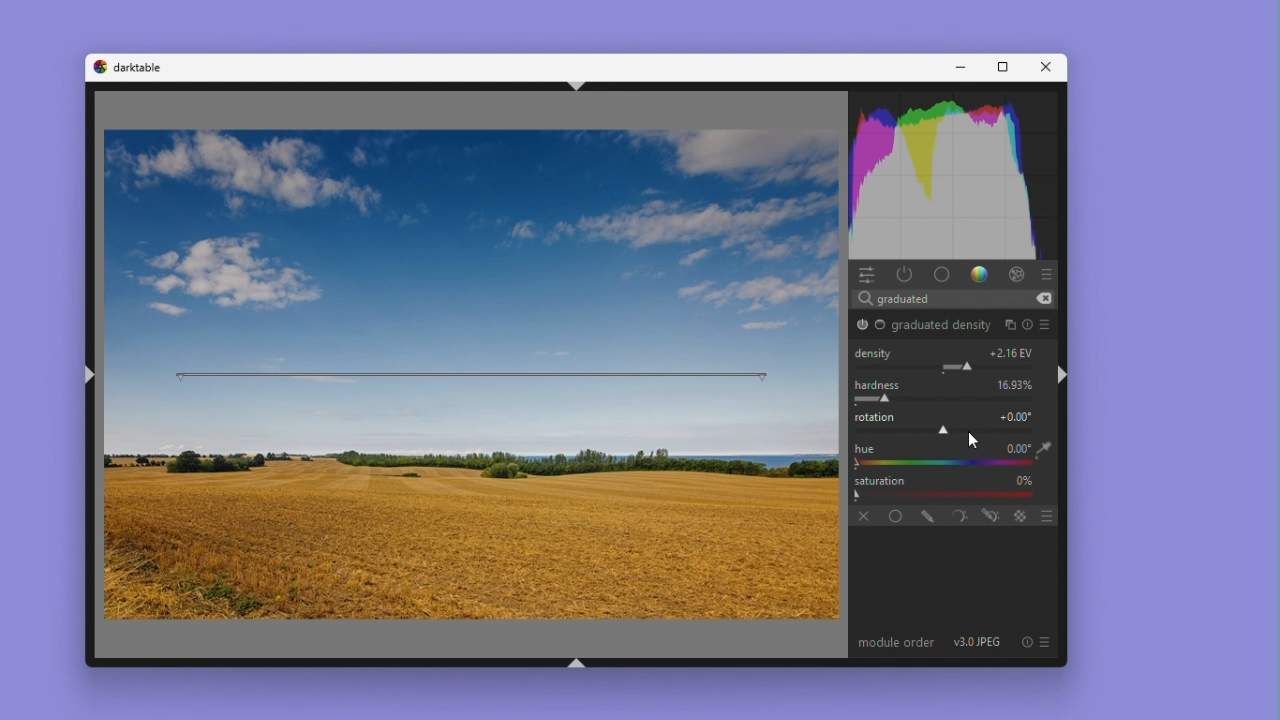  Describe the element at coordinates (93, 378) in the screenshot. I see `shift+ctrl+l` at that location.